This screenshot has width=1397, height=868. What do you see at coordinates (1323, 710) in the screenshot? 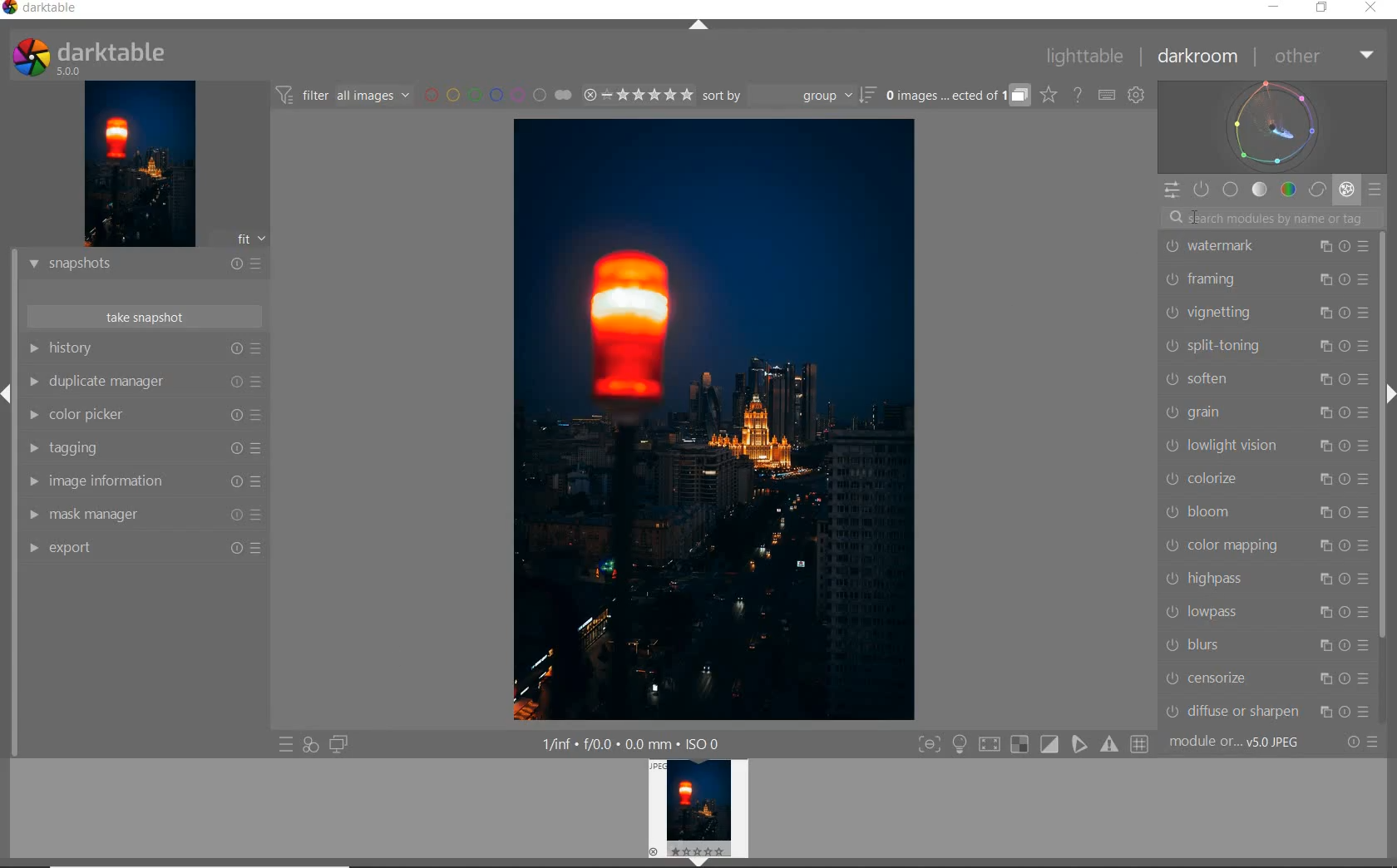
I see `Multiple instance` at bounding box center [1323, 710].